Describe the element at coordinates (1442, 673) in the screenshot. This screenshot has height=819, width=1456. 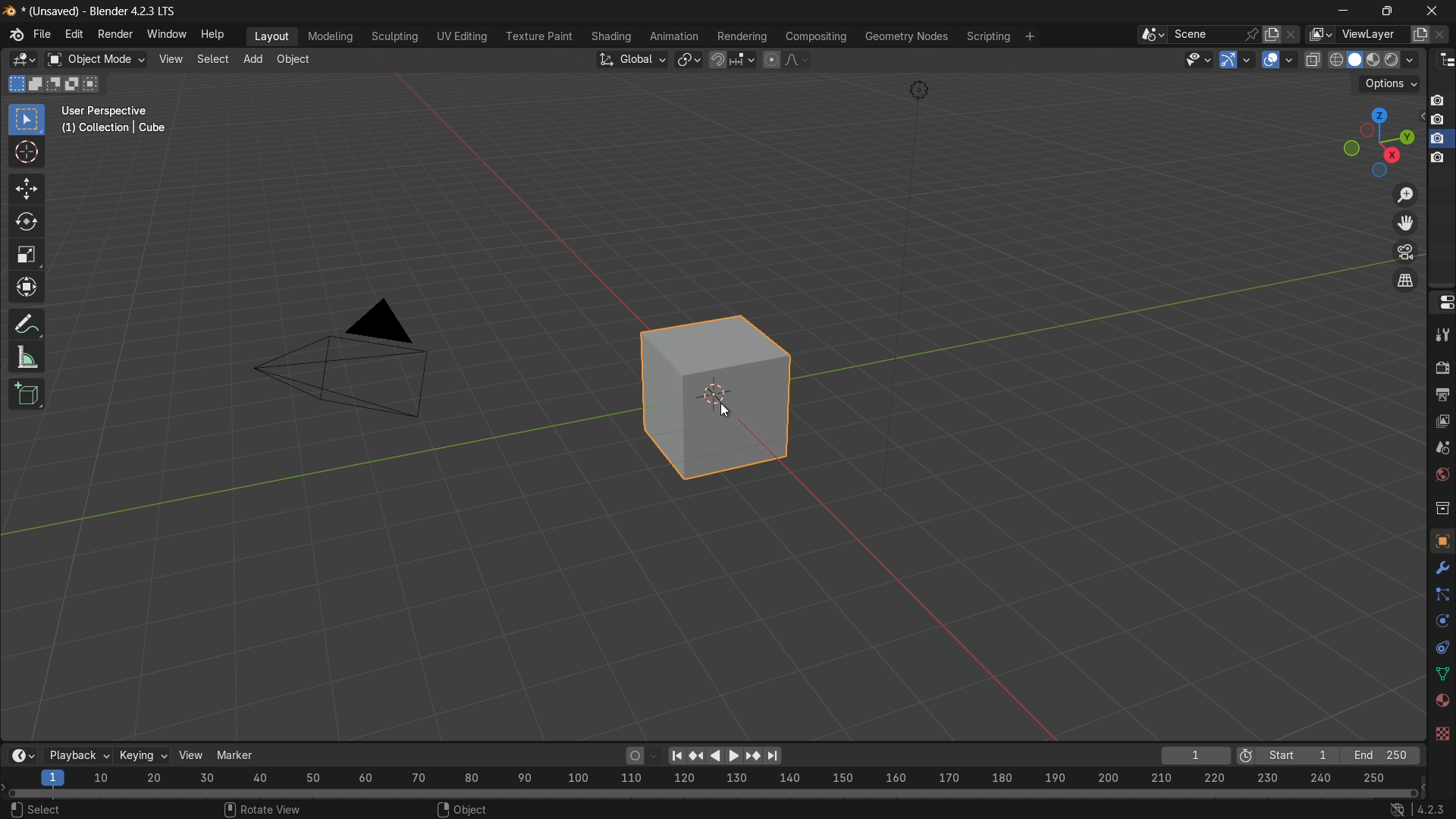
I see `data` at that location.